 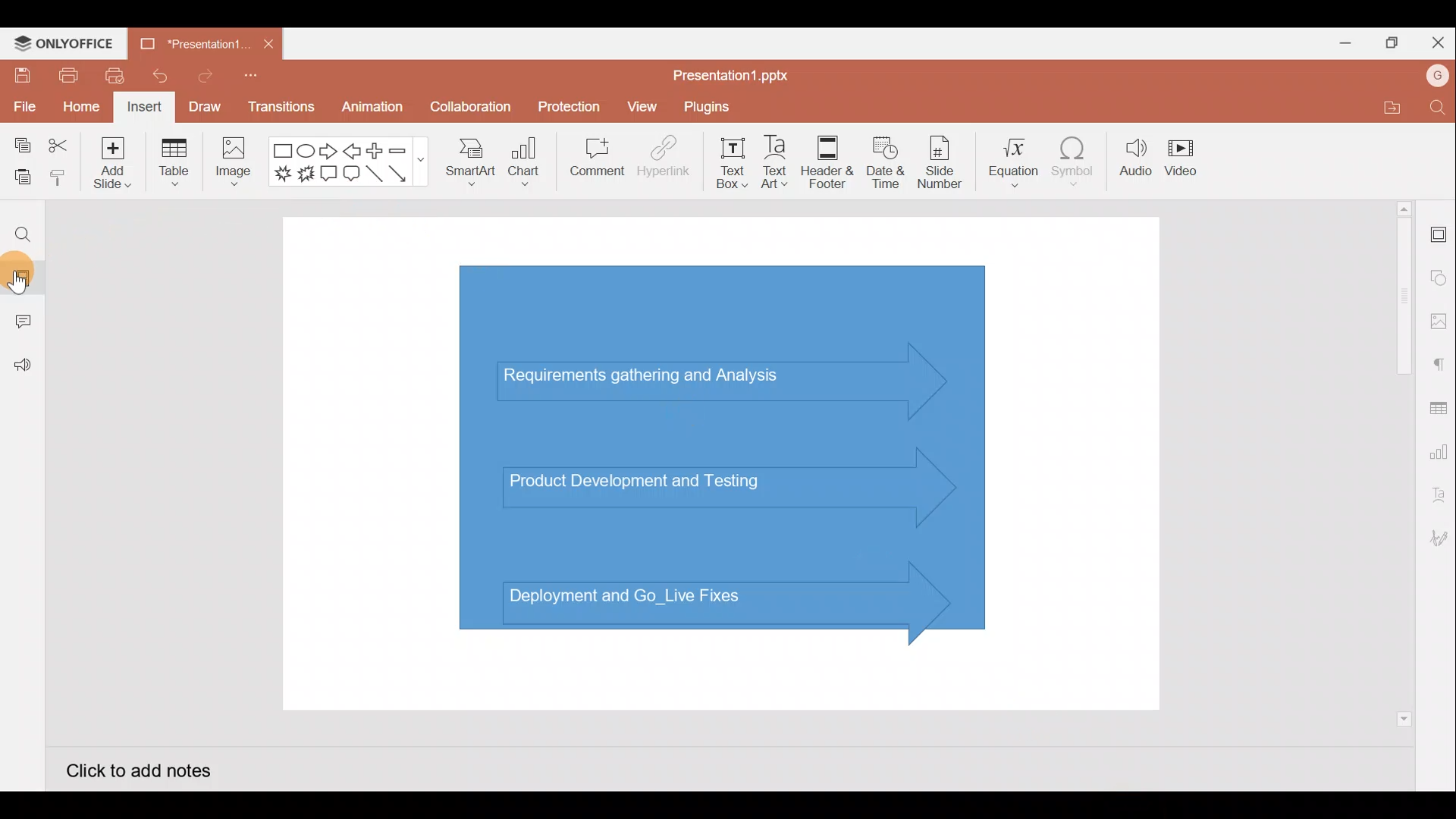 I want to click on Signature settings, so click(x=1436, y=538).